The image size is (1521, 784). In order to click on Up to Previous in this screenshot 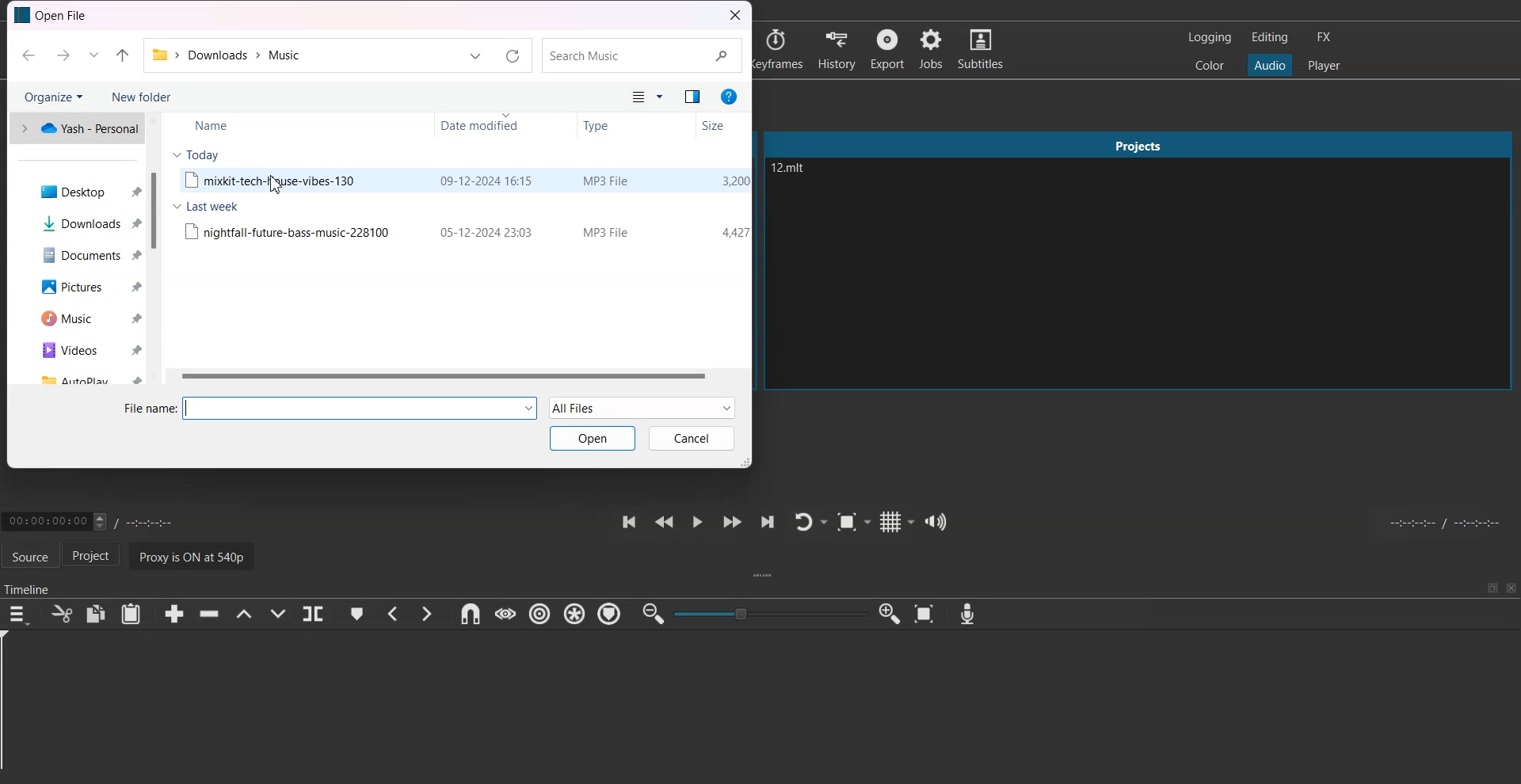, I will do `click(122, 56)`.